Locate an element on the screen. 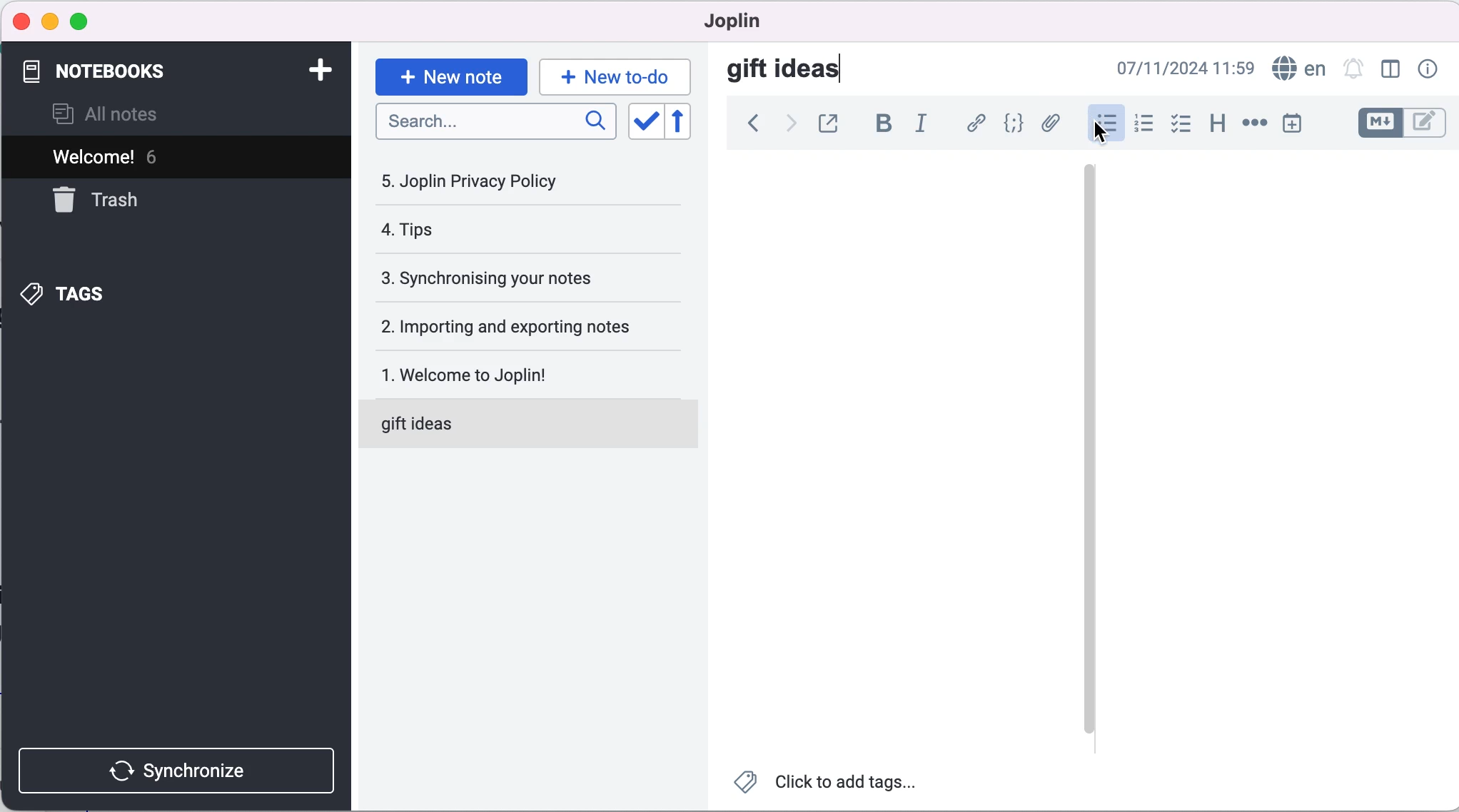  click to add tags is located at coordinates (835, 783).